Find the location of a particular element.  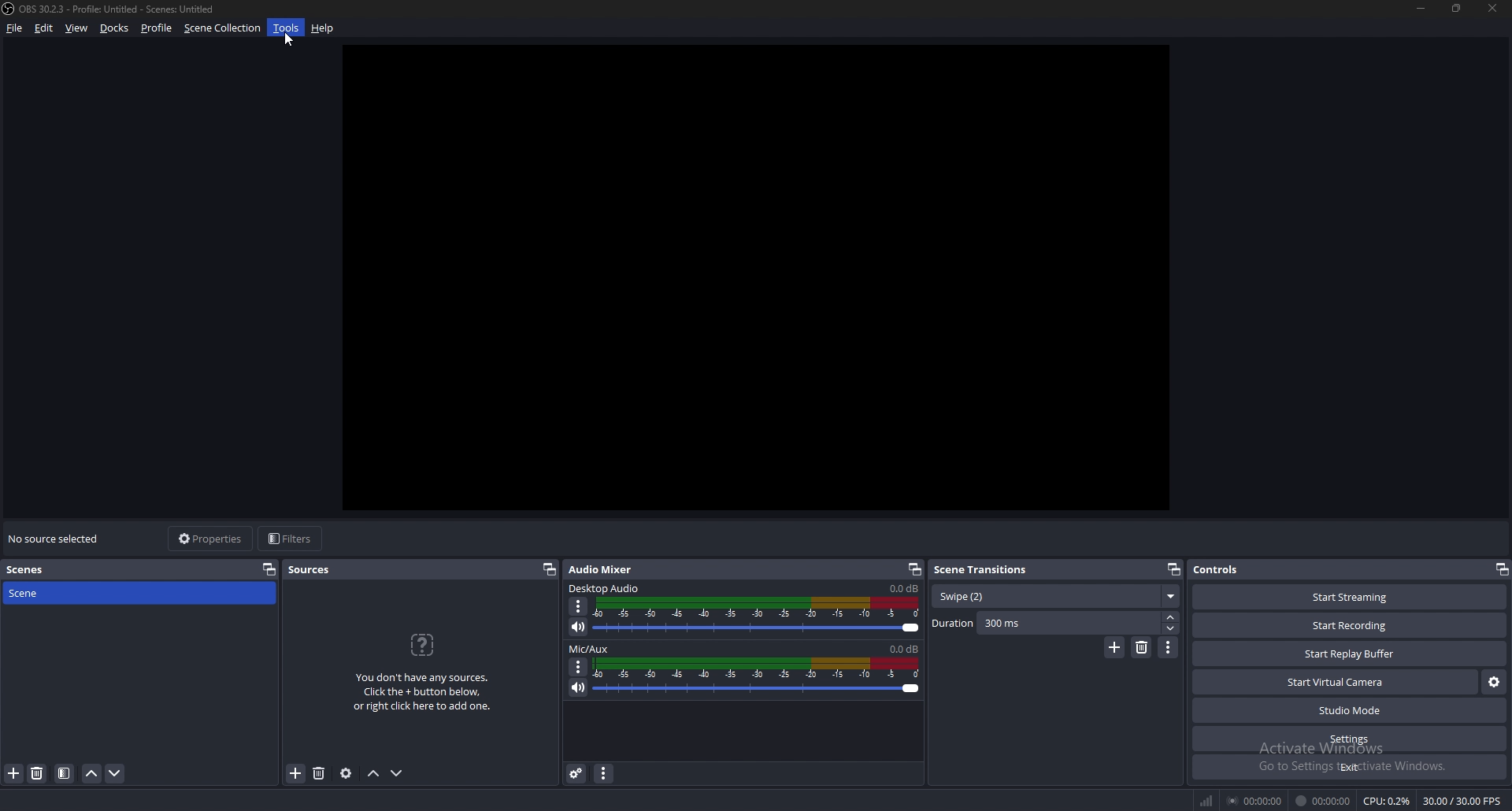

tools is located at coordinates (287, 28).